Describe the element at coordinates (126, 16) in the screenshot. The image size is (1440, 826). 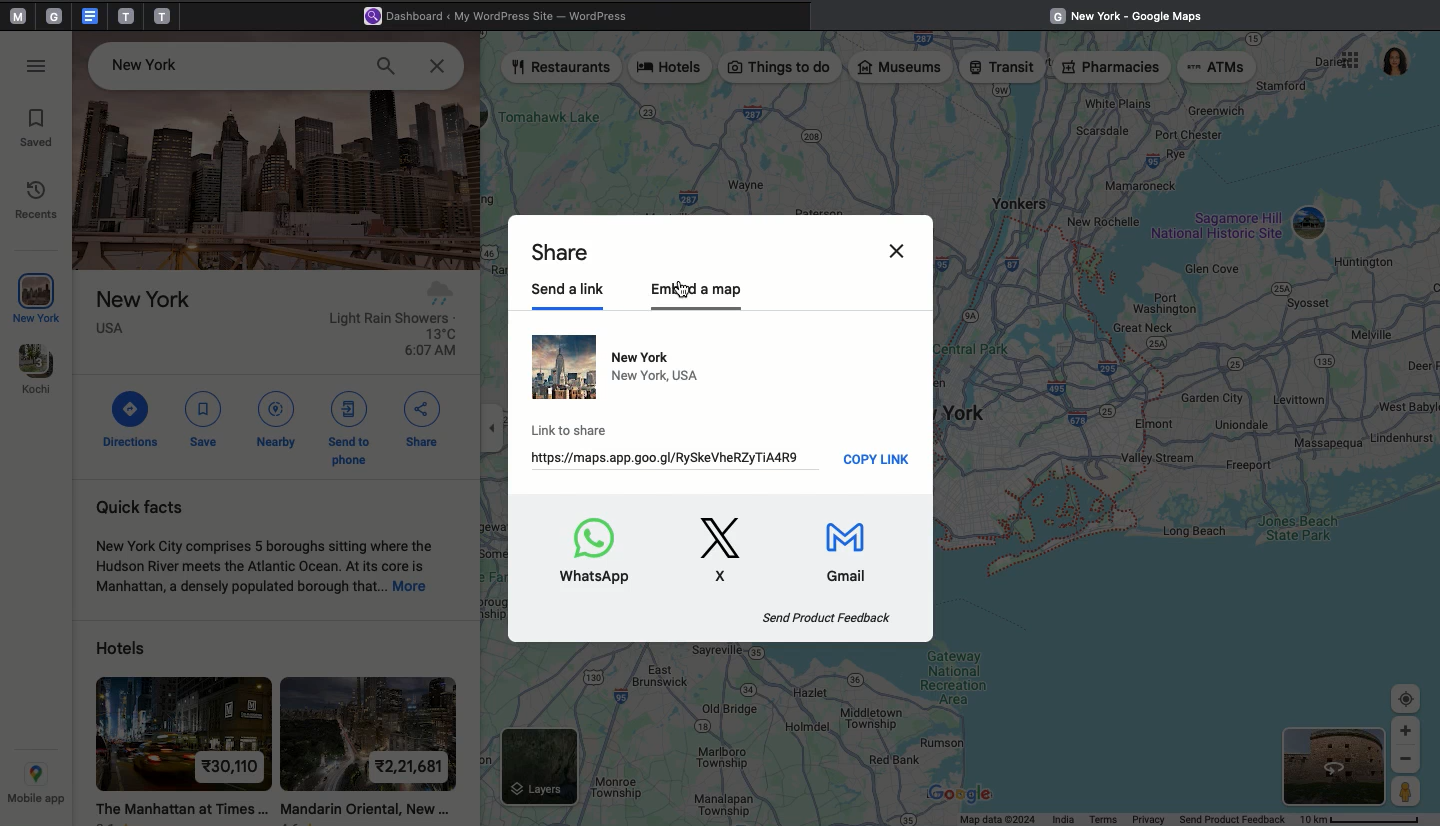
I see `tab` at that location.